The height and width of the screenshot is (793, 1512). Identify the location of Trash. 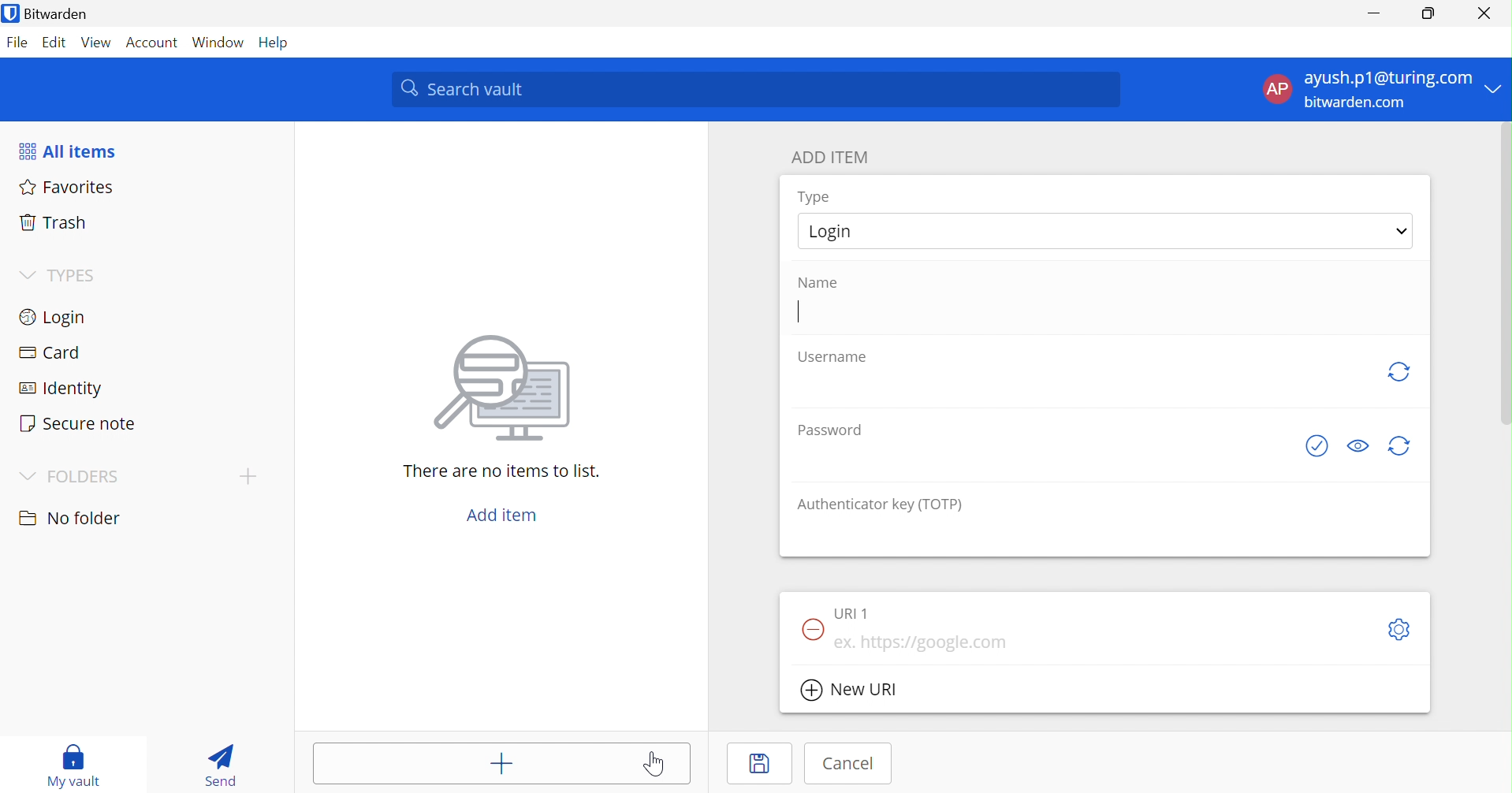
(52, 222).